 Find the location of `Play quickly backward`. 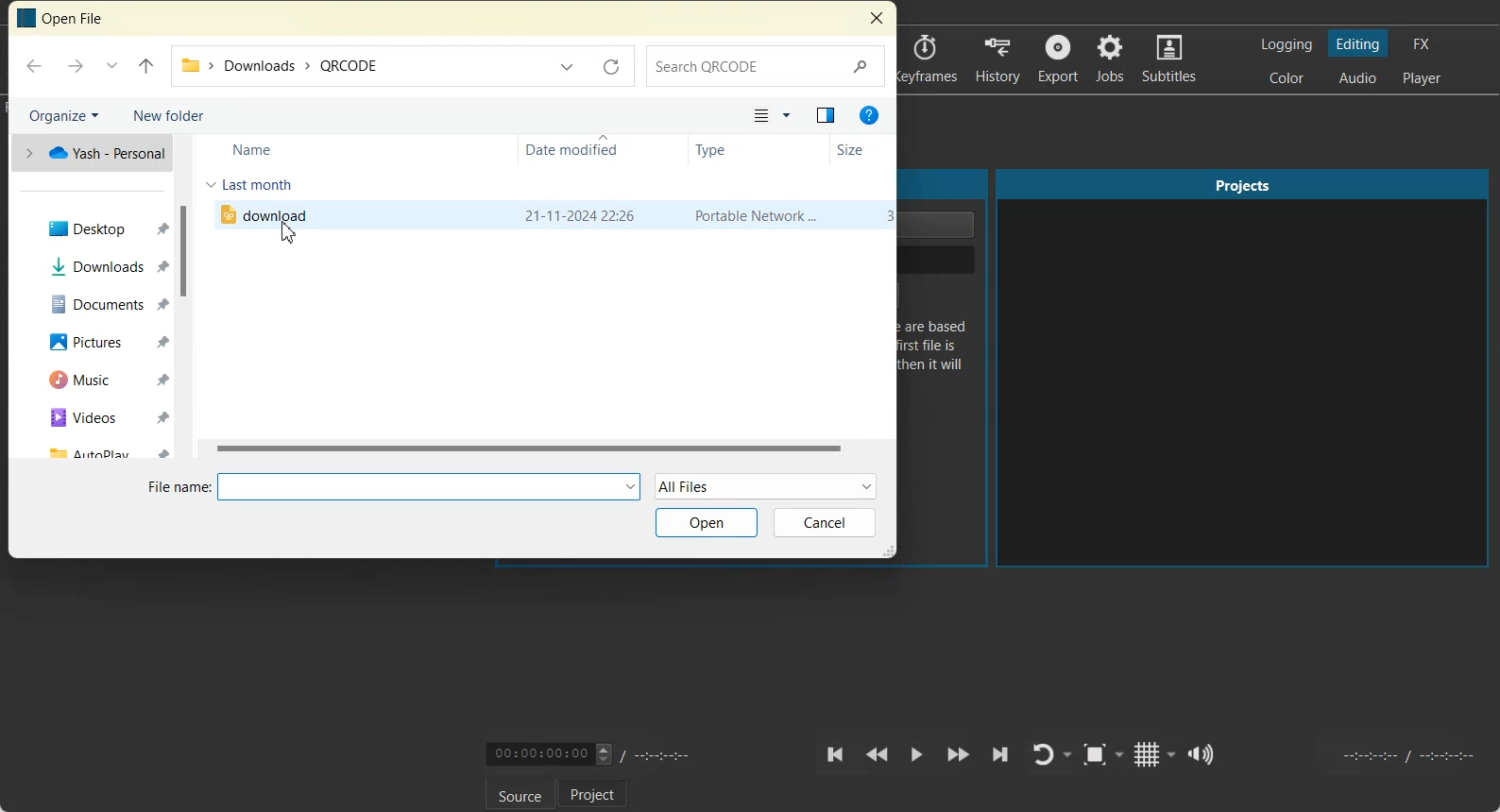

Play quickly backward is located at coordinates (877, 755).